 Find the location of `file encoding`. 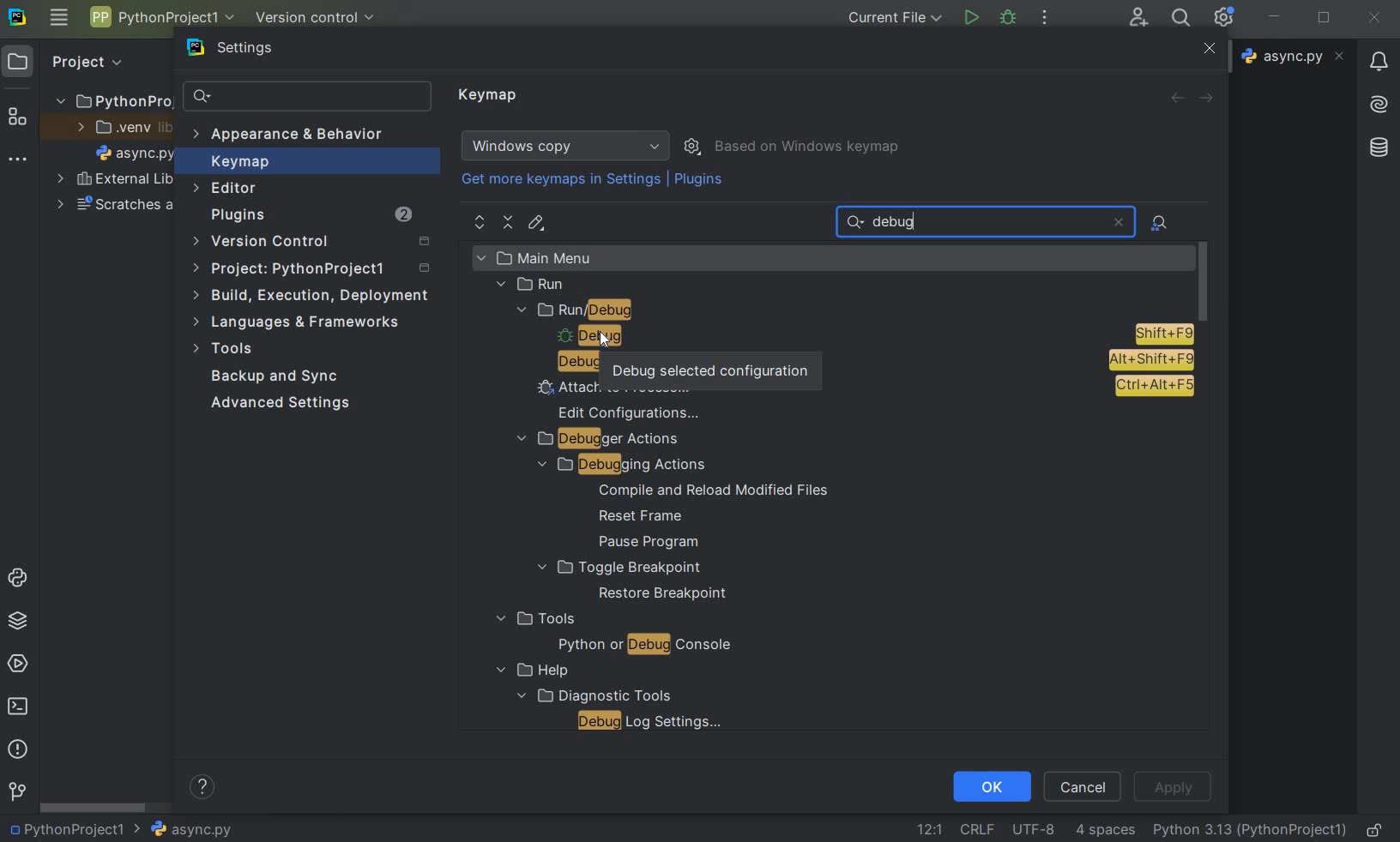

file encoding is located at coordinates (1035, 828).